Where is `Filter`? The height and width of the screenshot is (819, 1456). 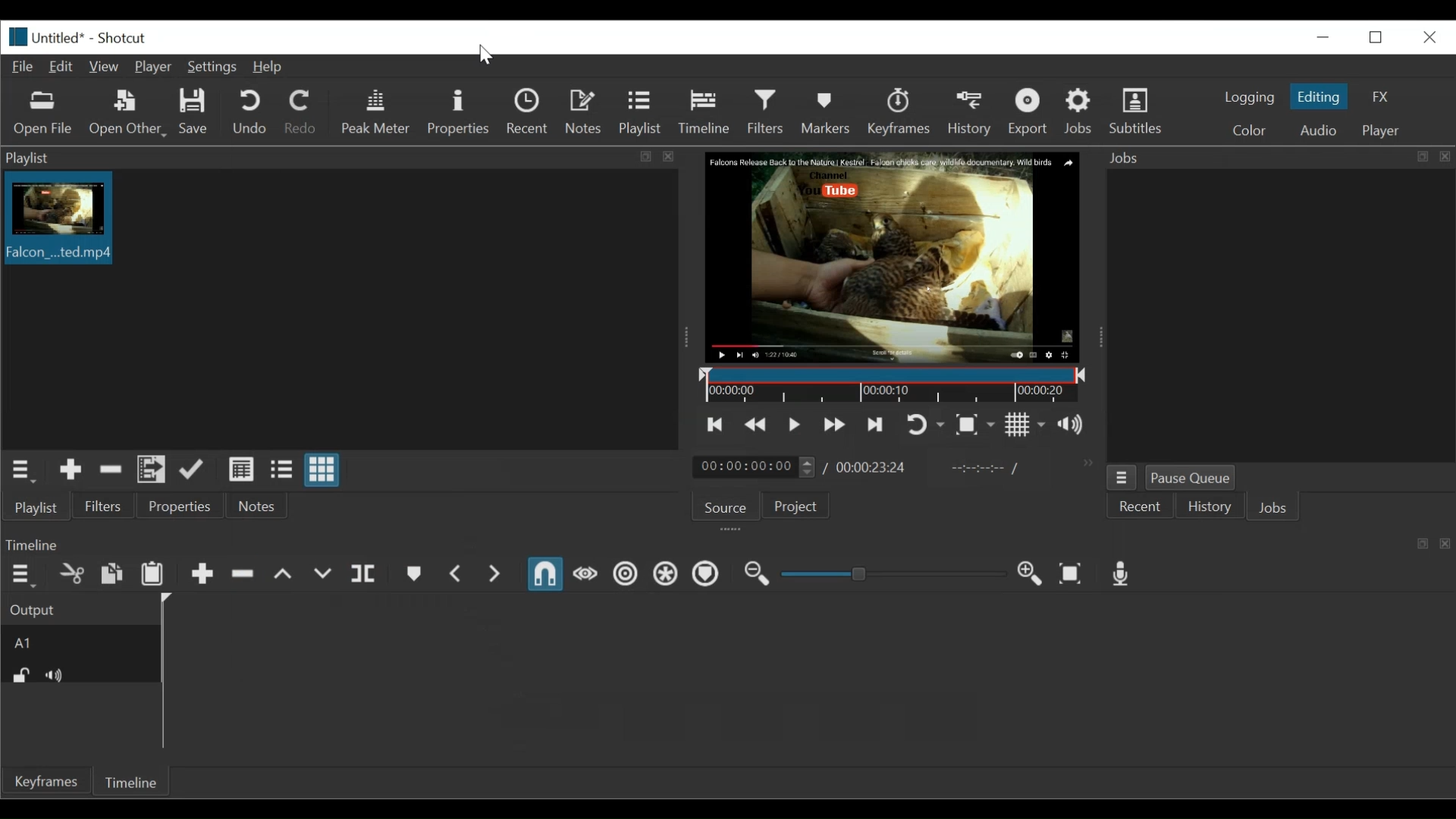 Filter is located at coordinates (104, 507).